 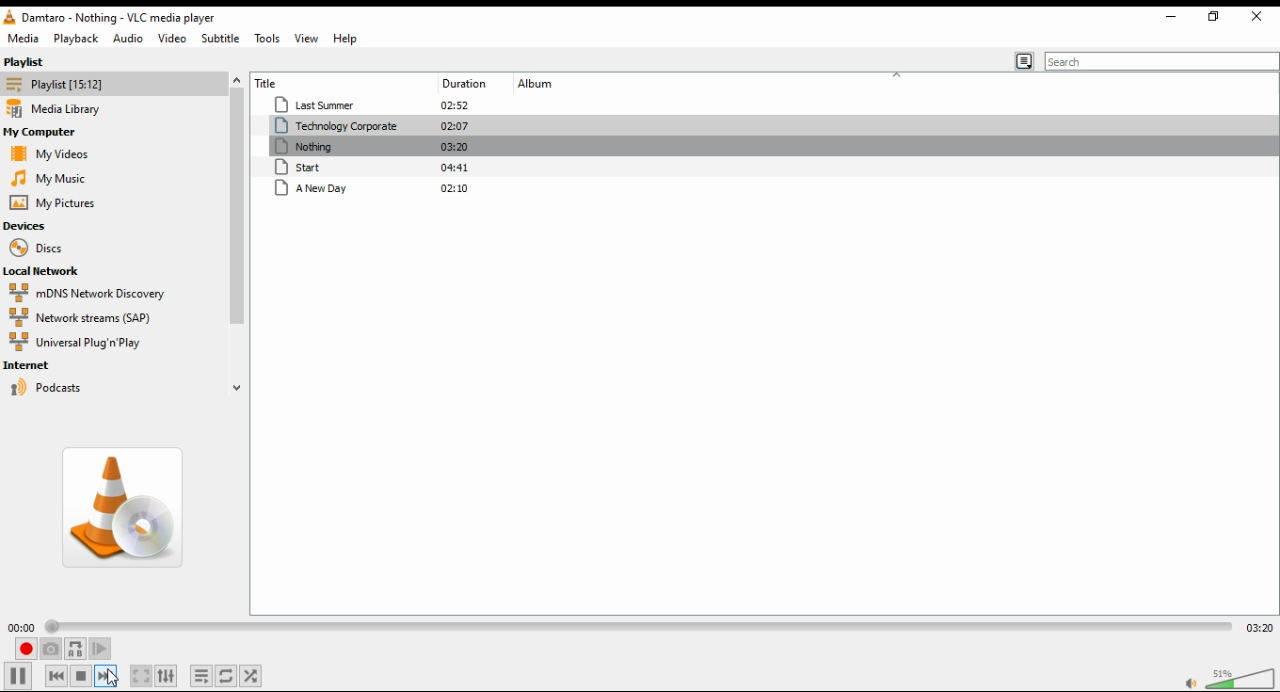 What do you see at coordinates (176, 41) in the screenshot?
I see `video` at bounding box center [176, 41].